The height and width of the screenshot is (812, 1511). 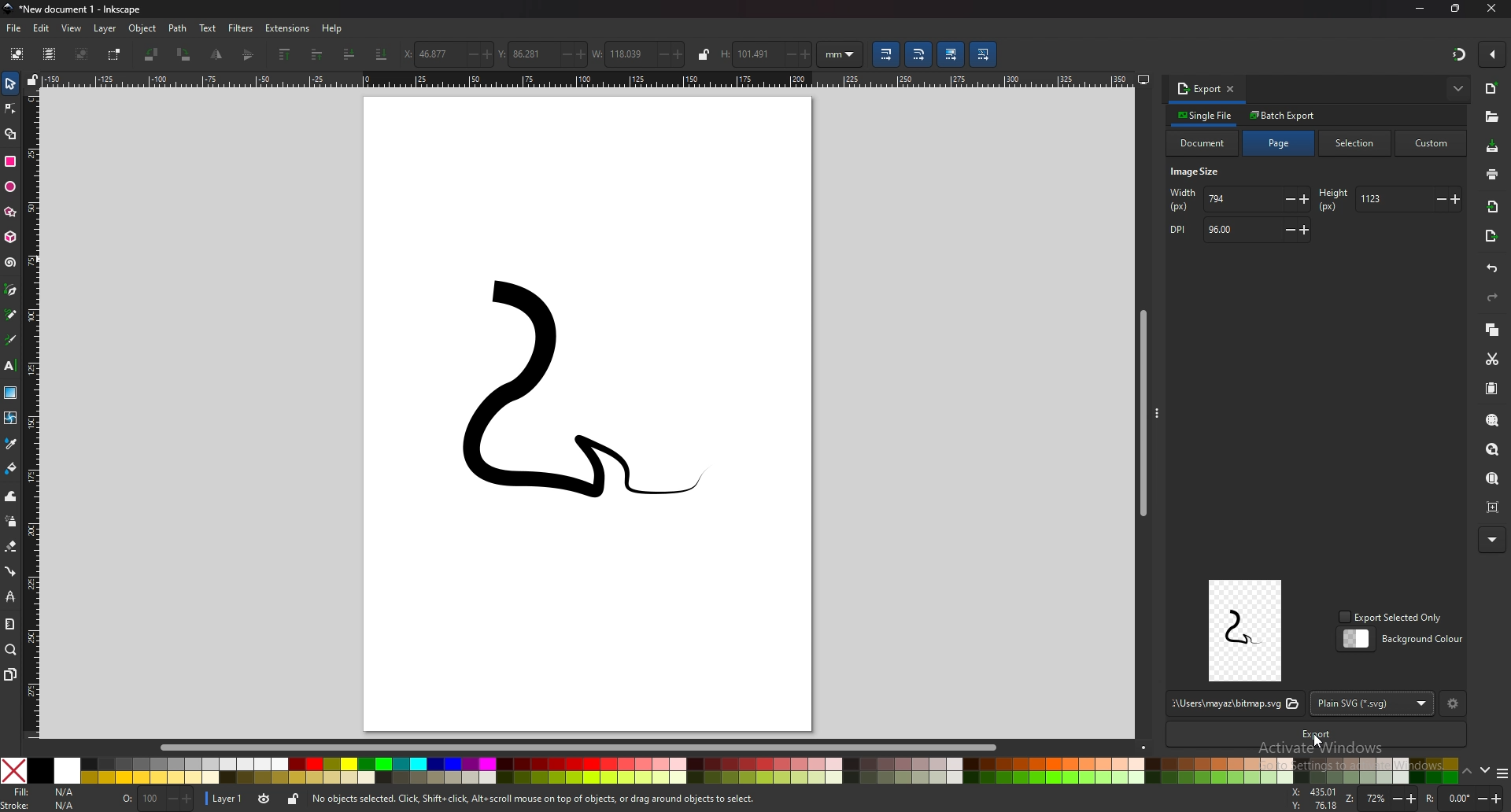 I want to click on display options, so click(x=1143, y=76).